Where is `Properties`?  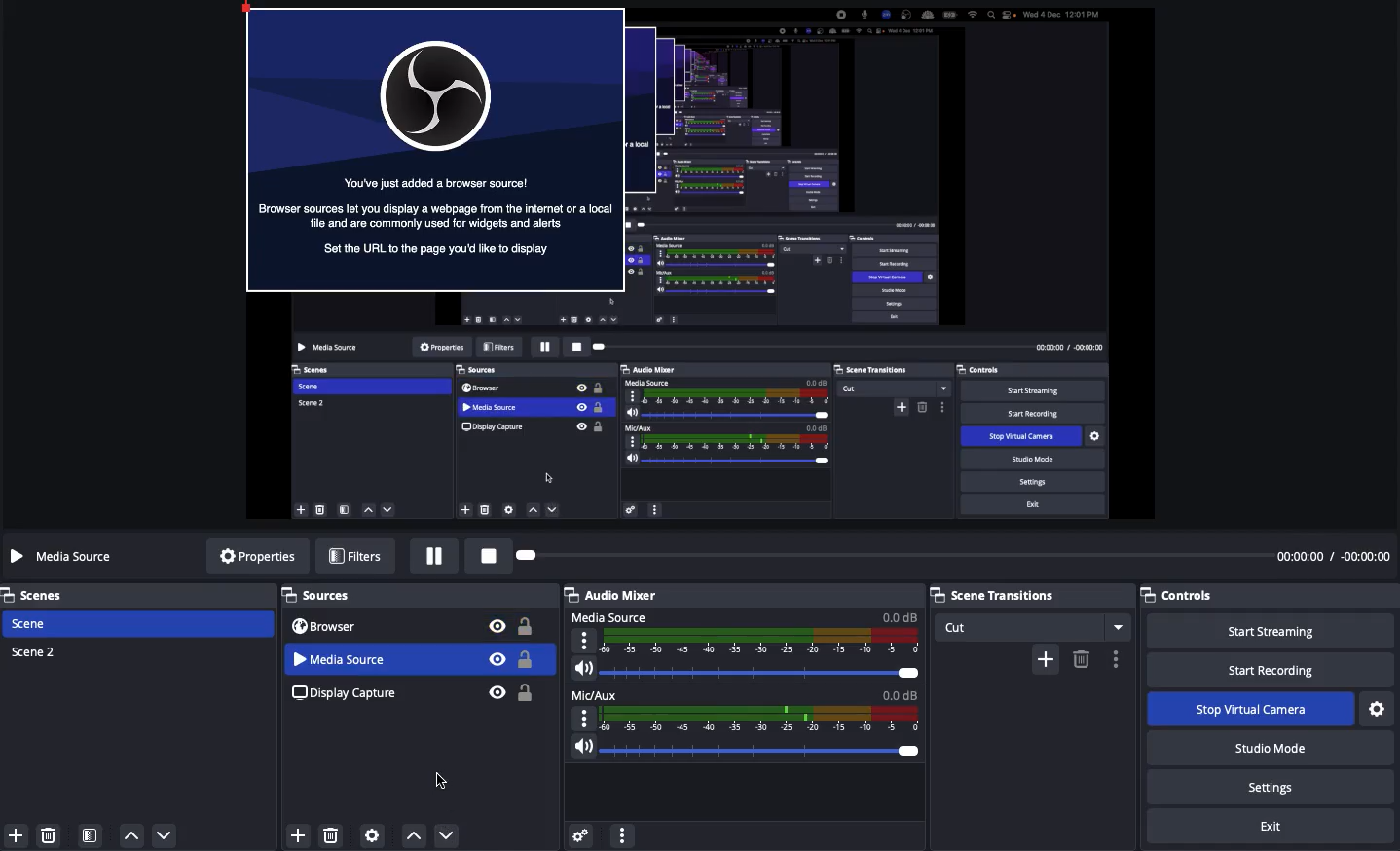 Properties is located at coordinates (256, 554).